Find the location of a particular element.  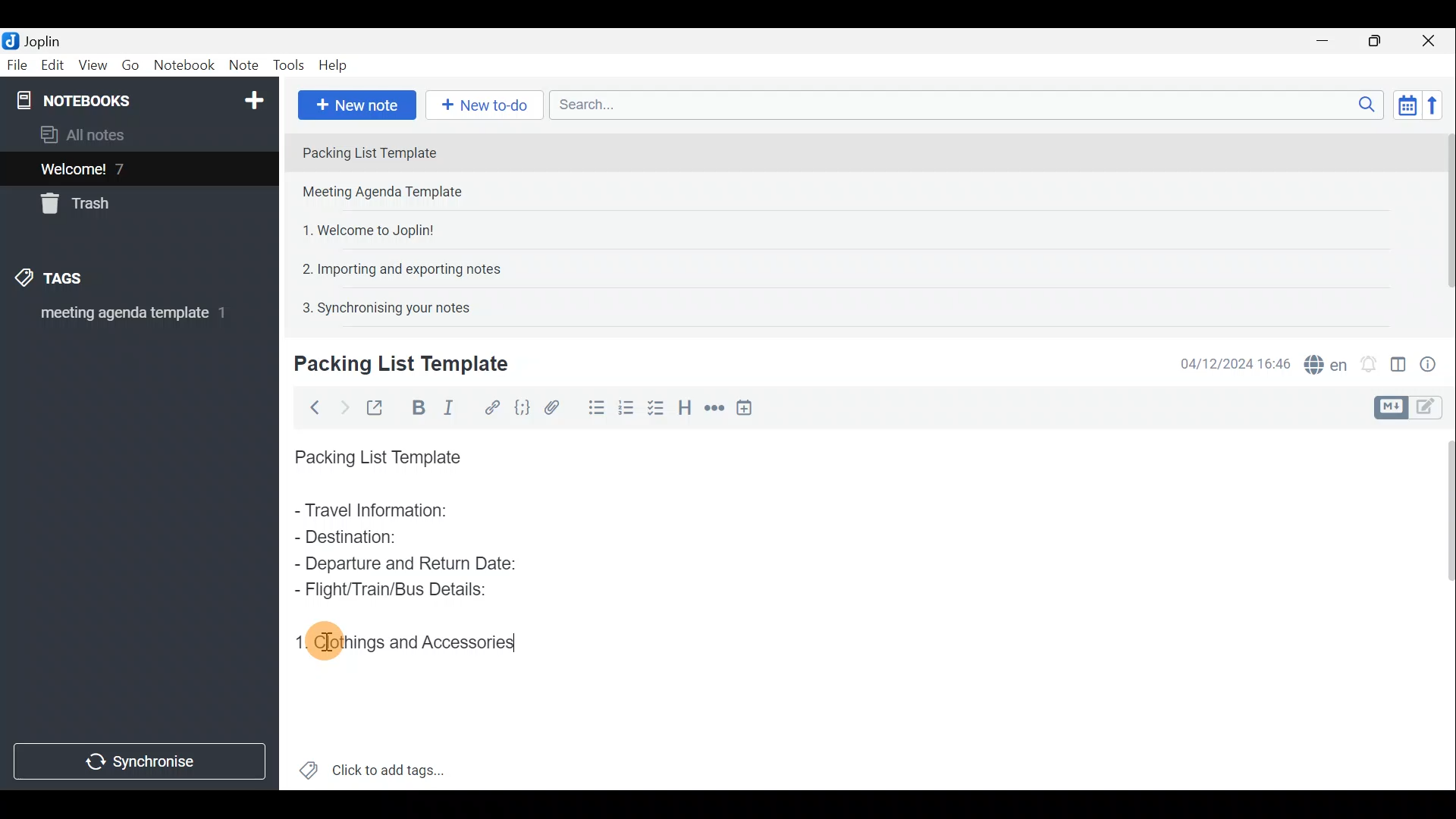

Note 4 is located at coordinates (394, 266).